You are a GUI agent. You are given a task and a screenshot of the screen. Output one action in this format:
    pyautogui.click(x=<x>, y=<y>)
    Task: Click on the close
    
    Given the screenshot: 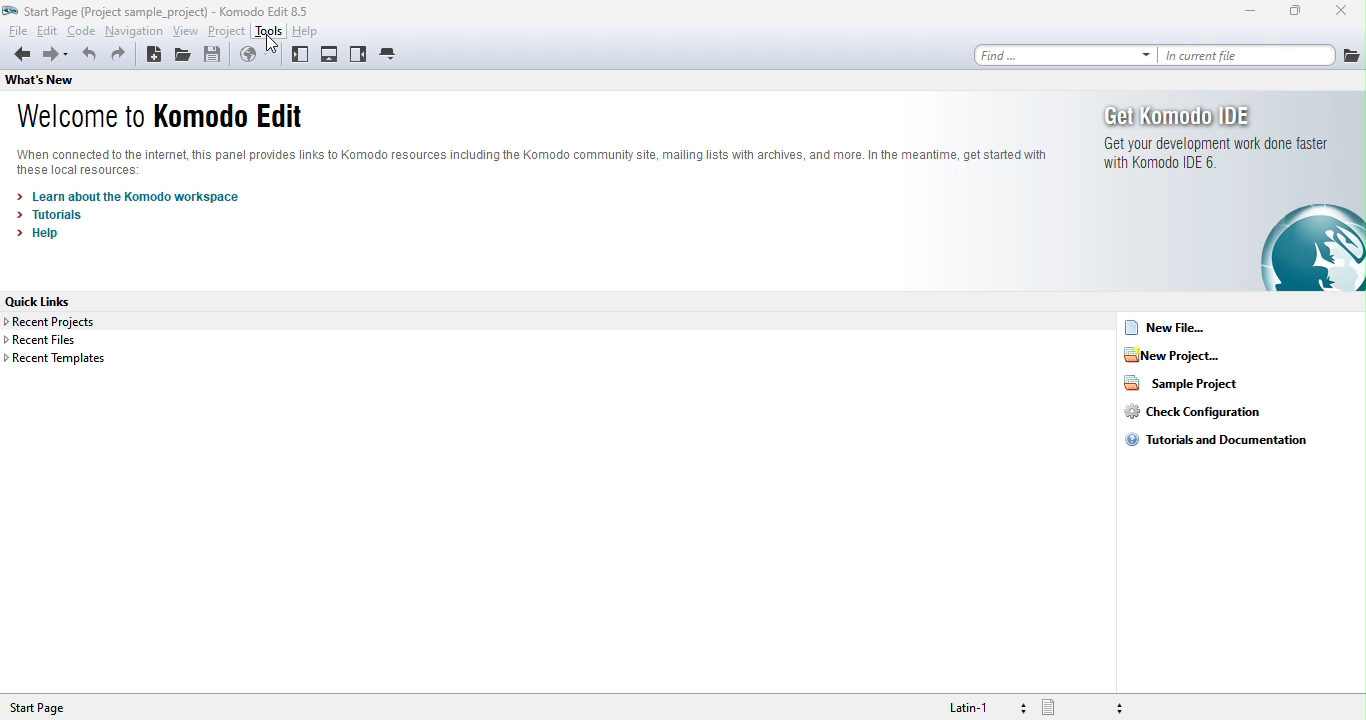 What is the action you would take?
    pyautogui.click(x=1340, y=10)
    